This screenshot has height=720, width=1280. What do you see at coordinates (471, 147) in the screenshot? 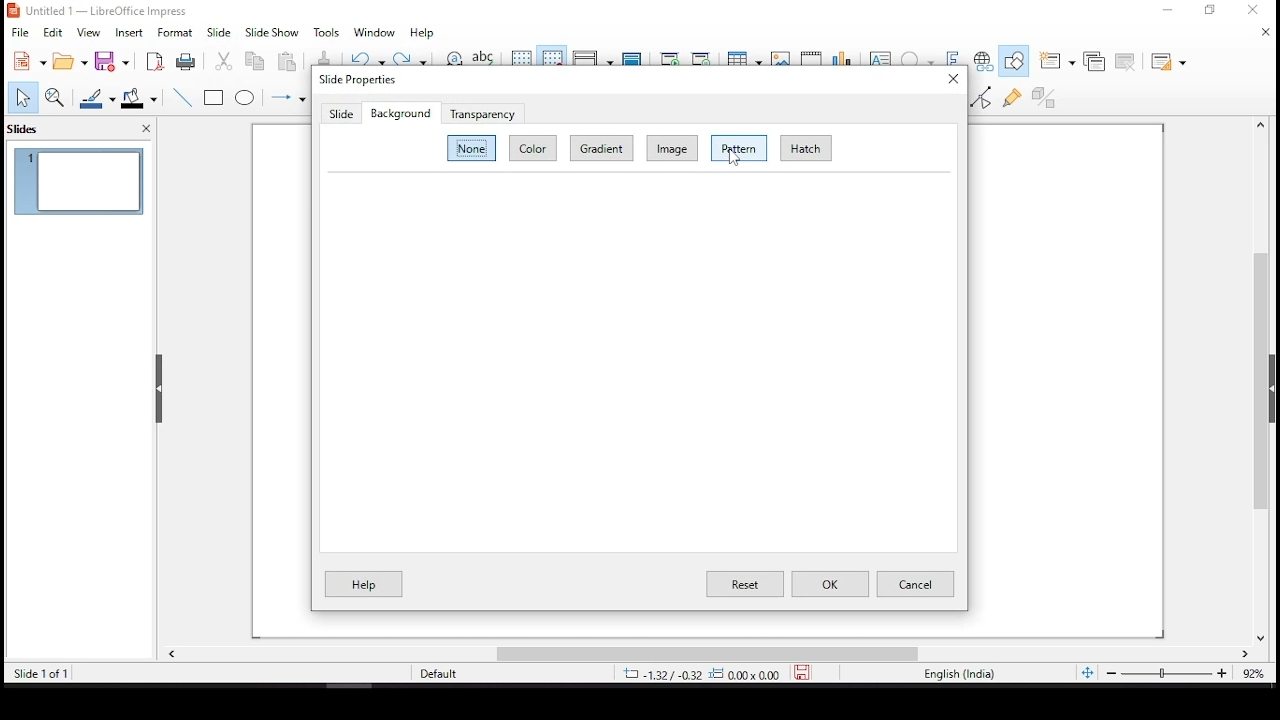
I see `none` at bounding box center [471, 147].